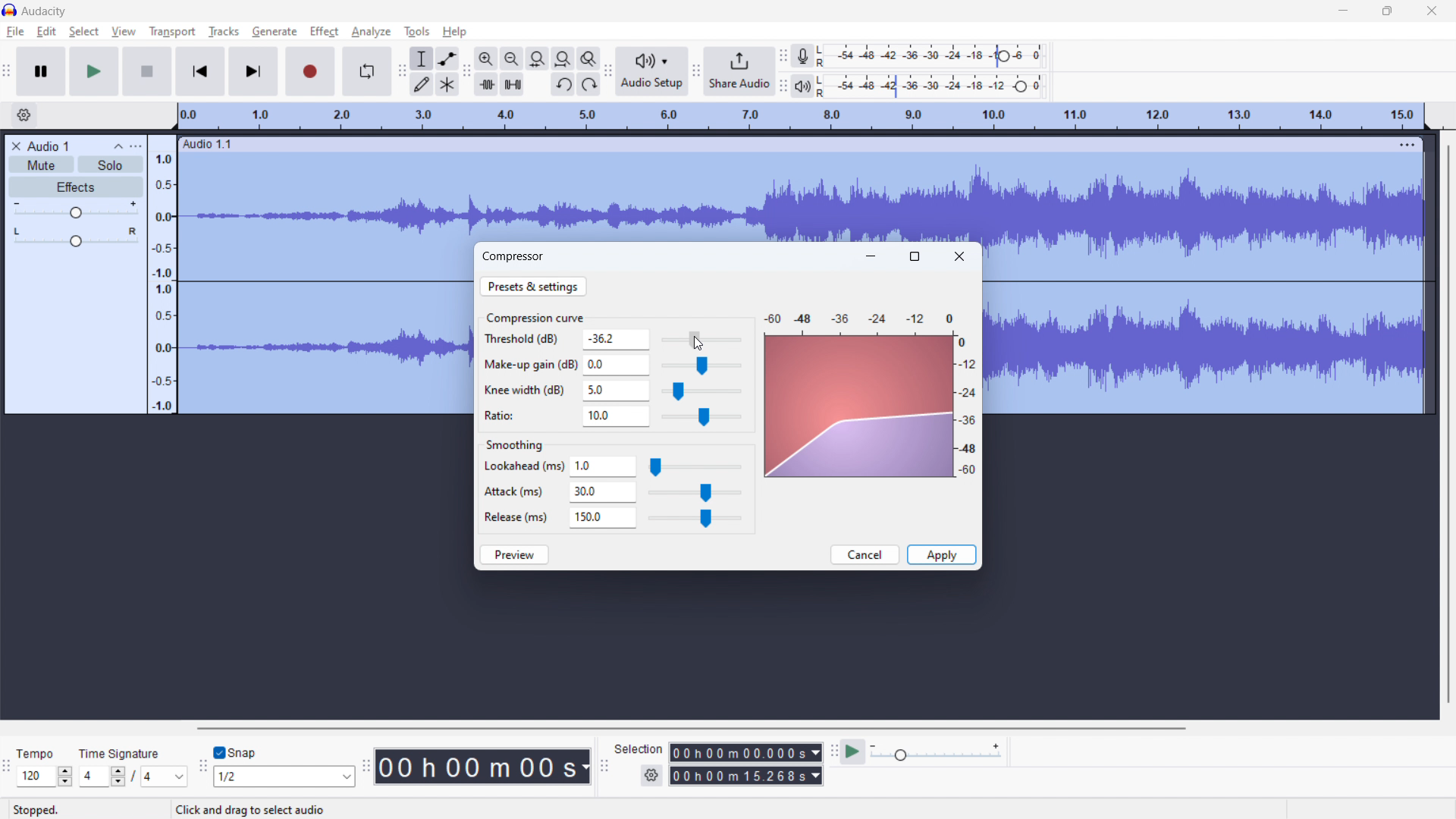  Describe the element at coordinates (74, 210) in the screenshot. I see `volume` at that location.